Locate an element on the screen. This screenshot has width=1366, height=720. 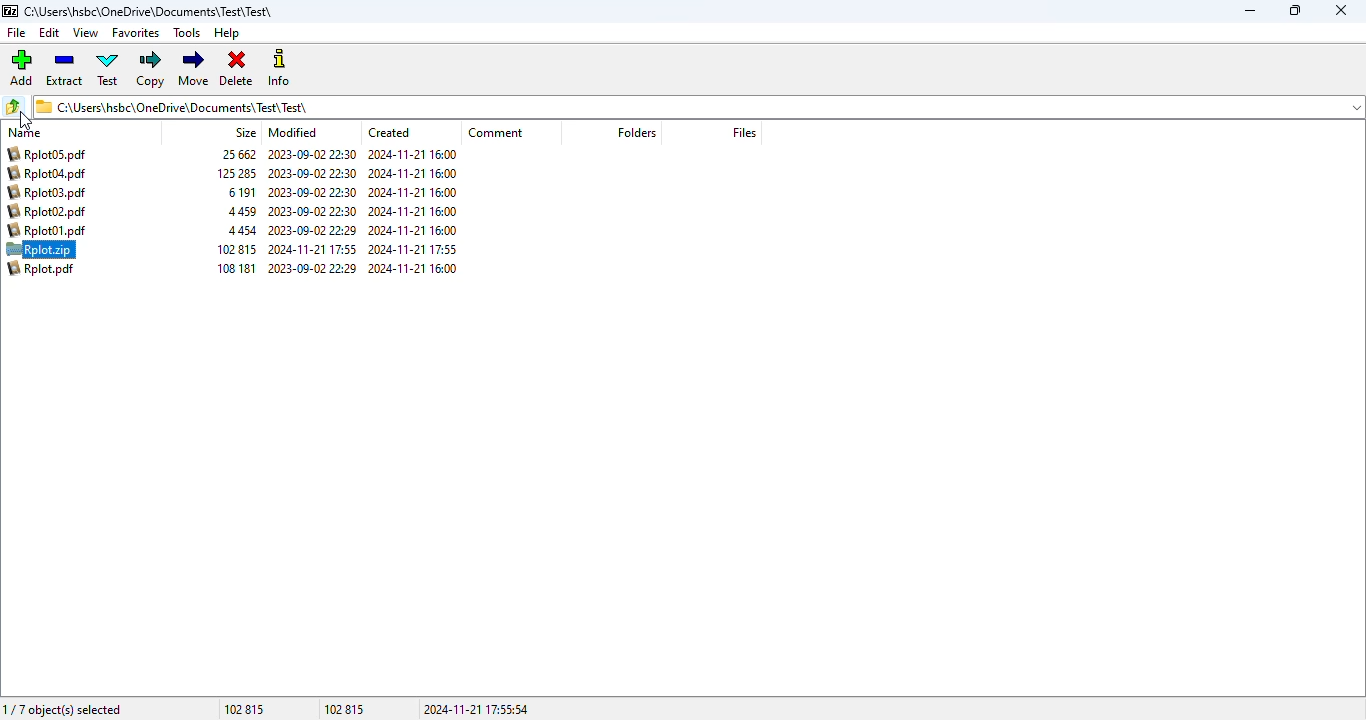
Rplot03.pdf is located at coordinates (46, 192).